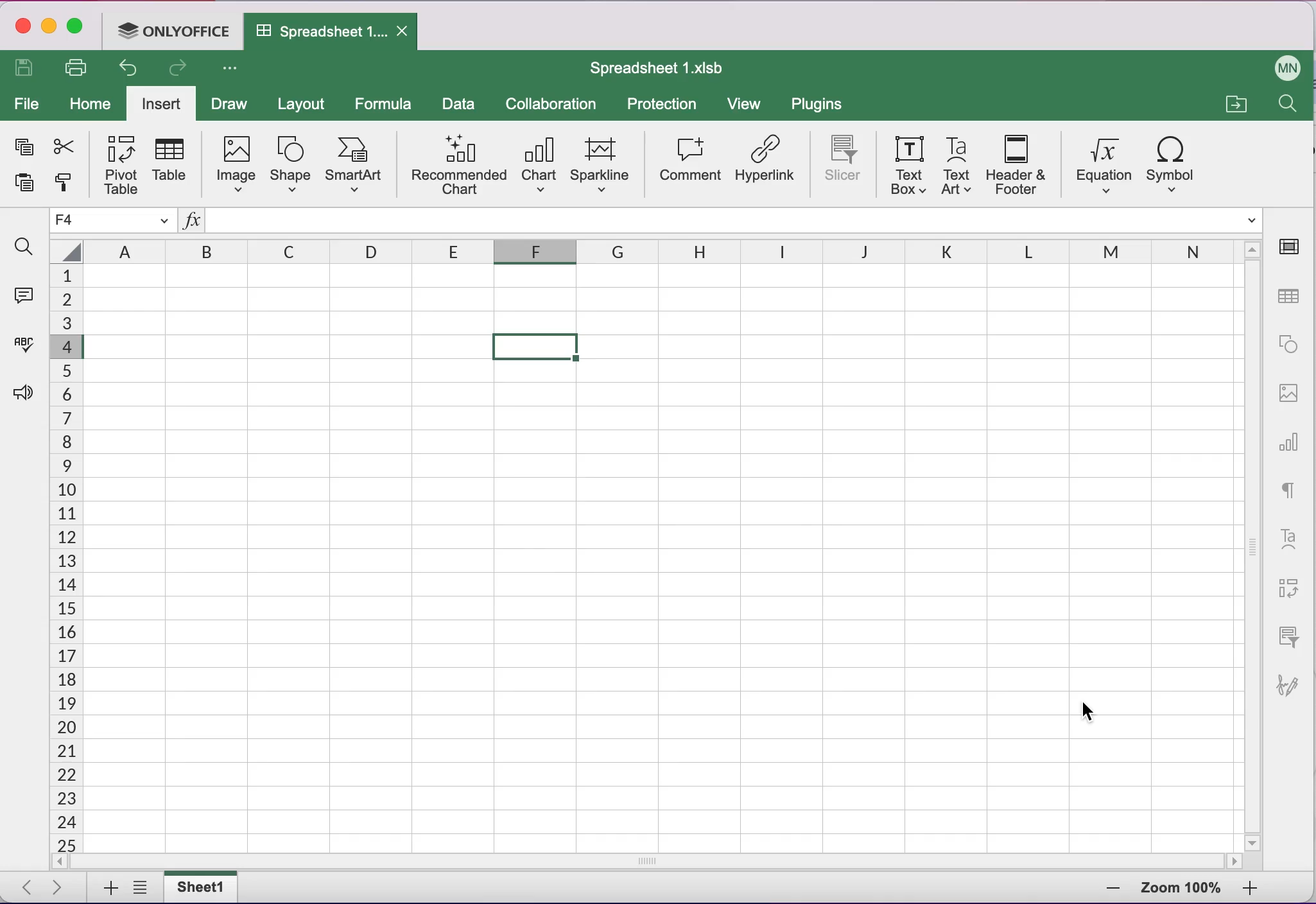 The width and height of the screenshot is (1316, 904). Describe the element at coordinates (176, 69) in the screenshot. I see `forwards` at that location.